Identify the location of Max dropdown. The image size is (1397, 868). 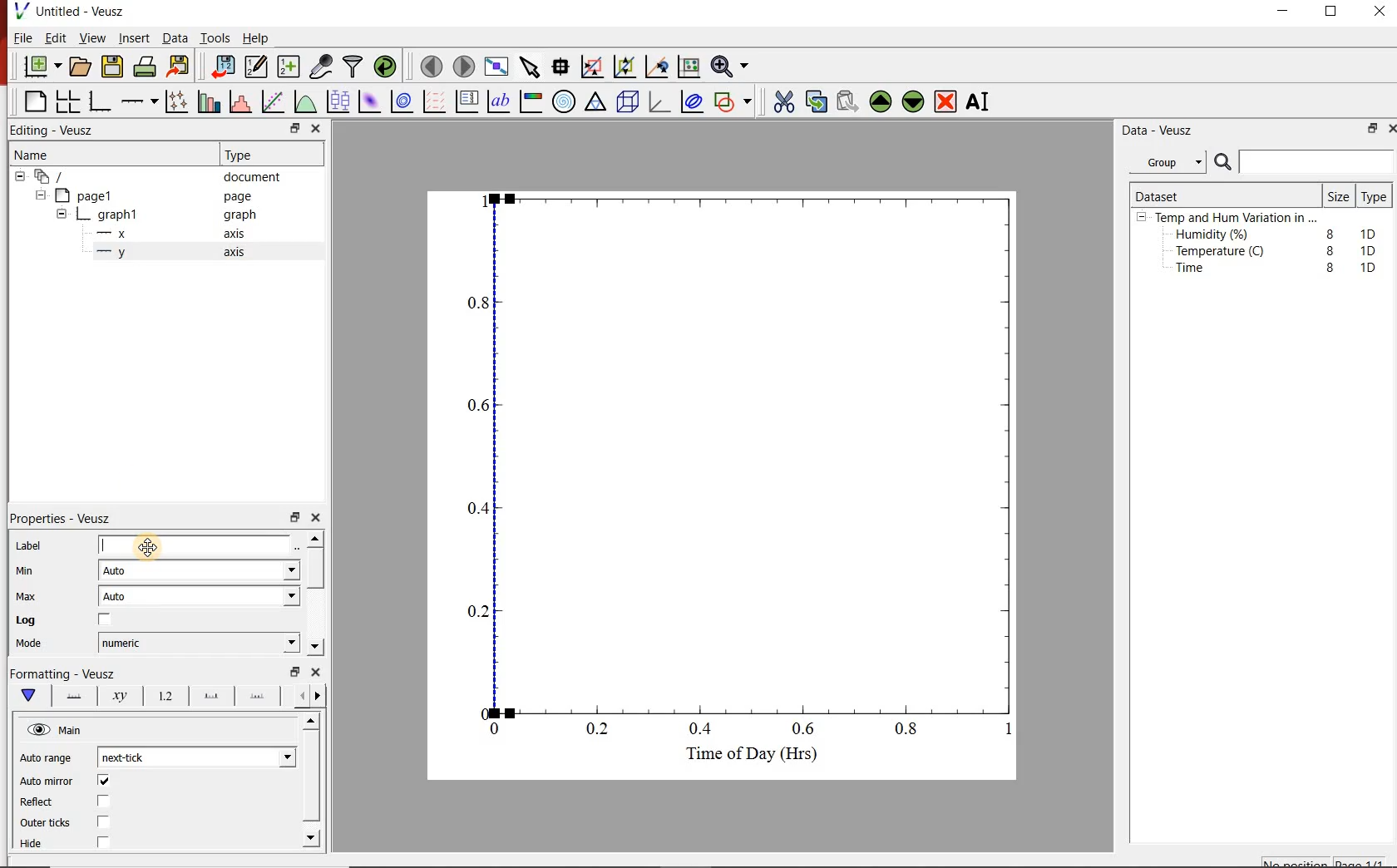
(274, 599).